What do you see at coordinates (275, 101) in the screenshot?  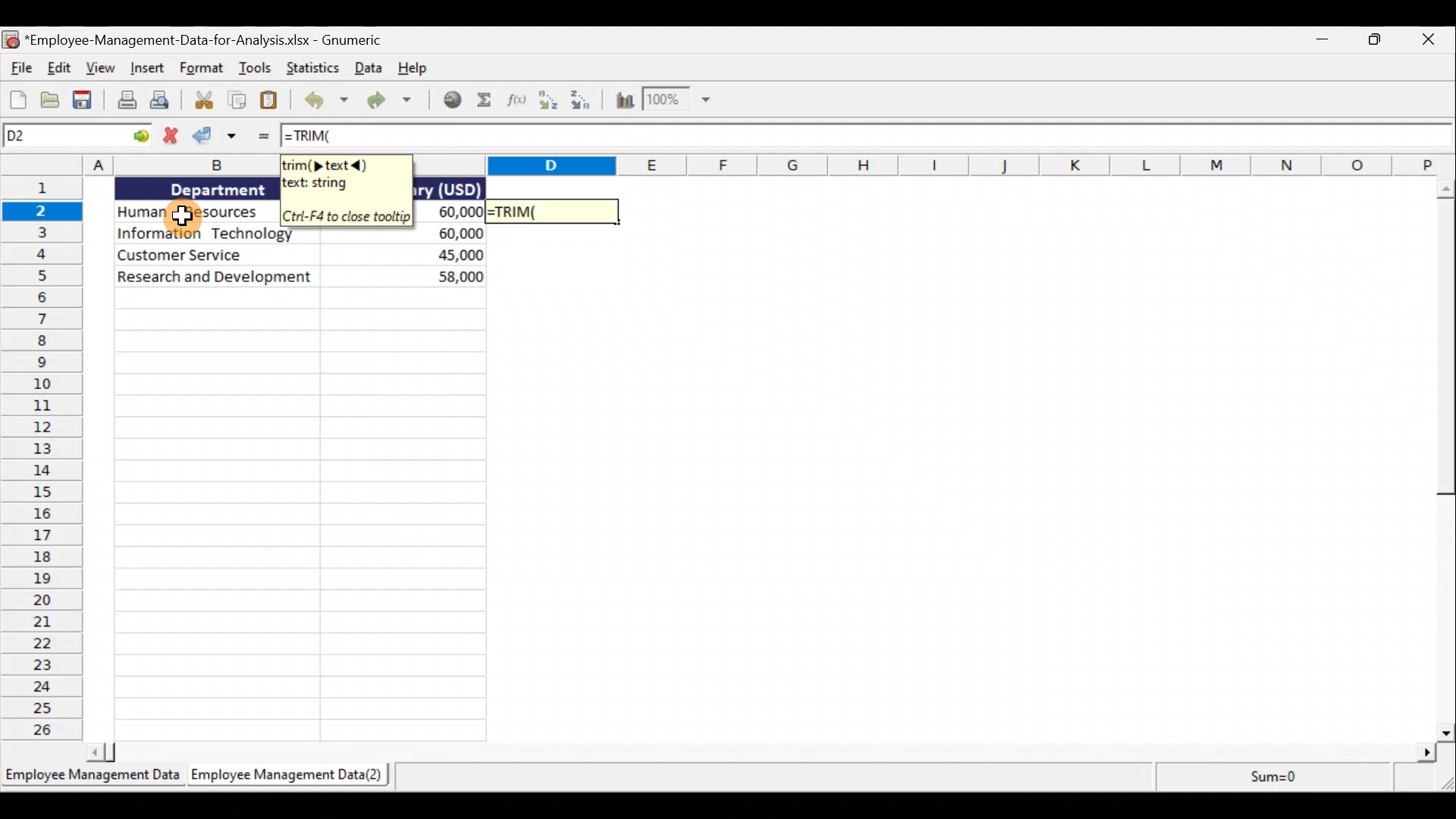 I see `Paste the clipboard` at bounding box center [275, 101].